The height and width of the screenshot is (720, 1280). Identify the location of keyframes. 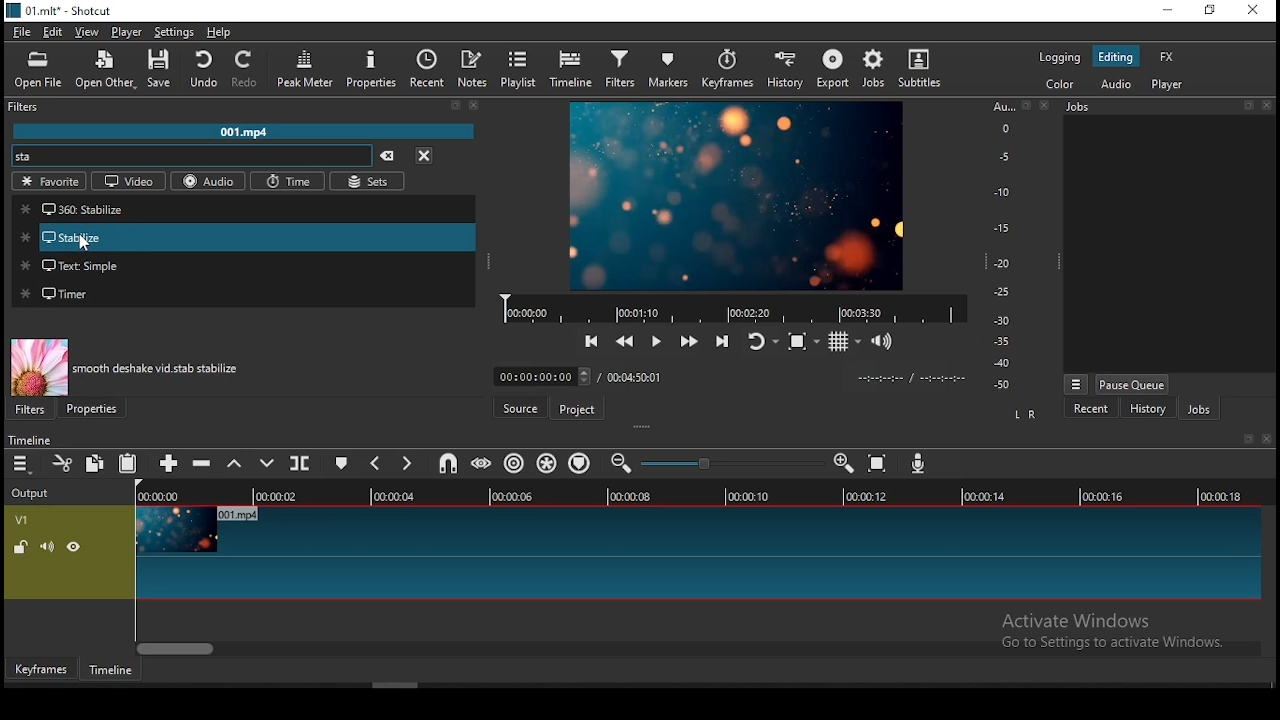
(39, 668).